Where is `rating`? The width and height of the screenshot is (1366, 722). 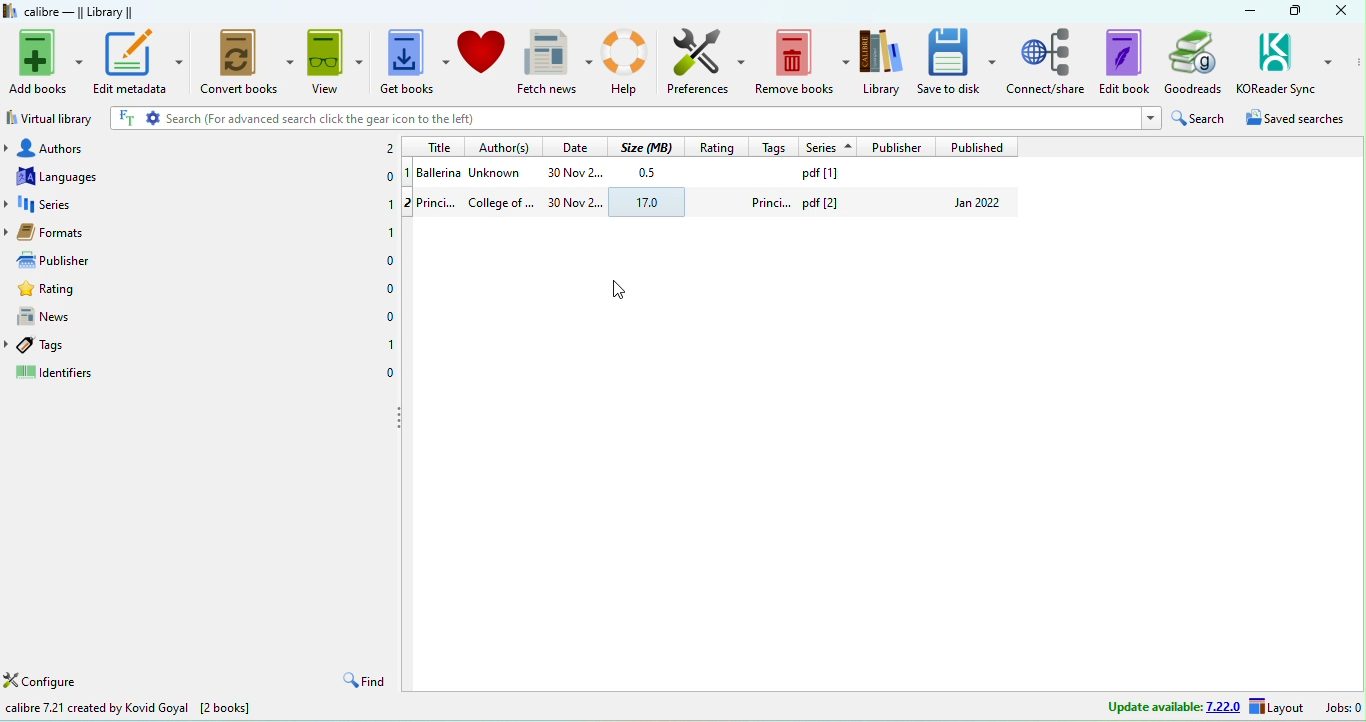
rating is located at coordinates (716, 147).